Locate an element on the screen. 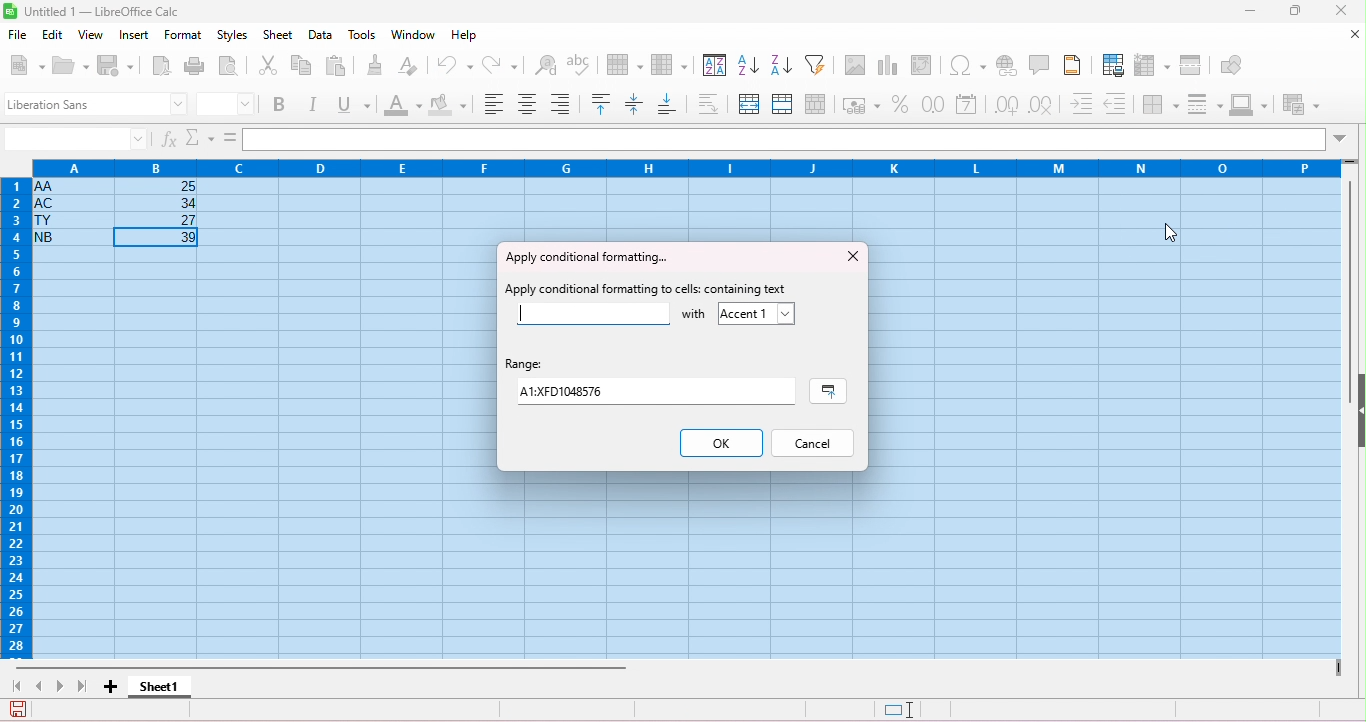 The image size is (1366, 722). vertical scroll bar is located at coordinates (1352, 264).